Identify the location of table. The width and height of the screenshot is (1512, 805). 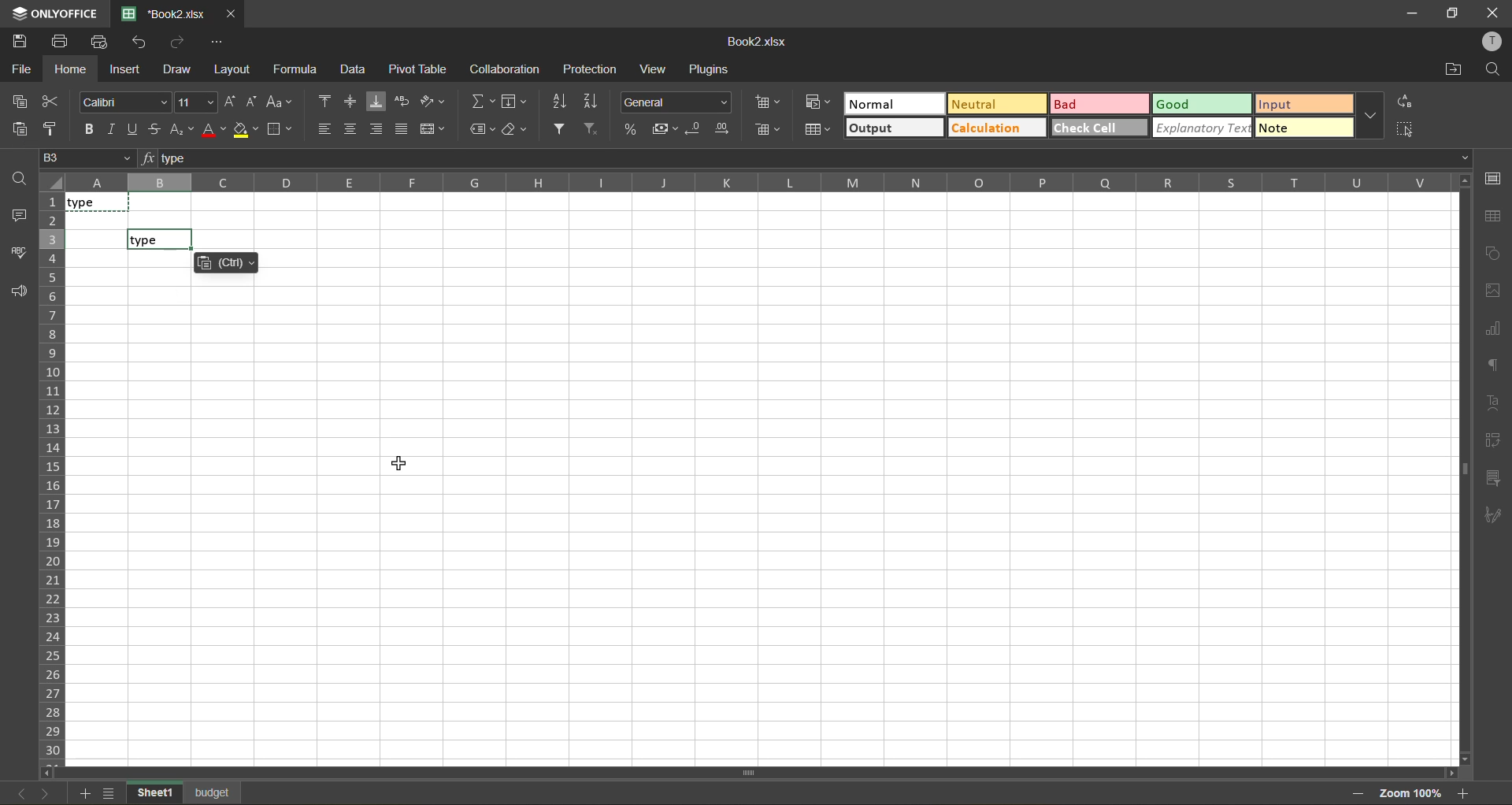
(1497, 216).